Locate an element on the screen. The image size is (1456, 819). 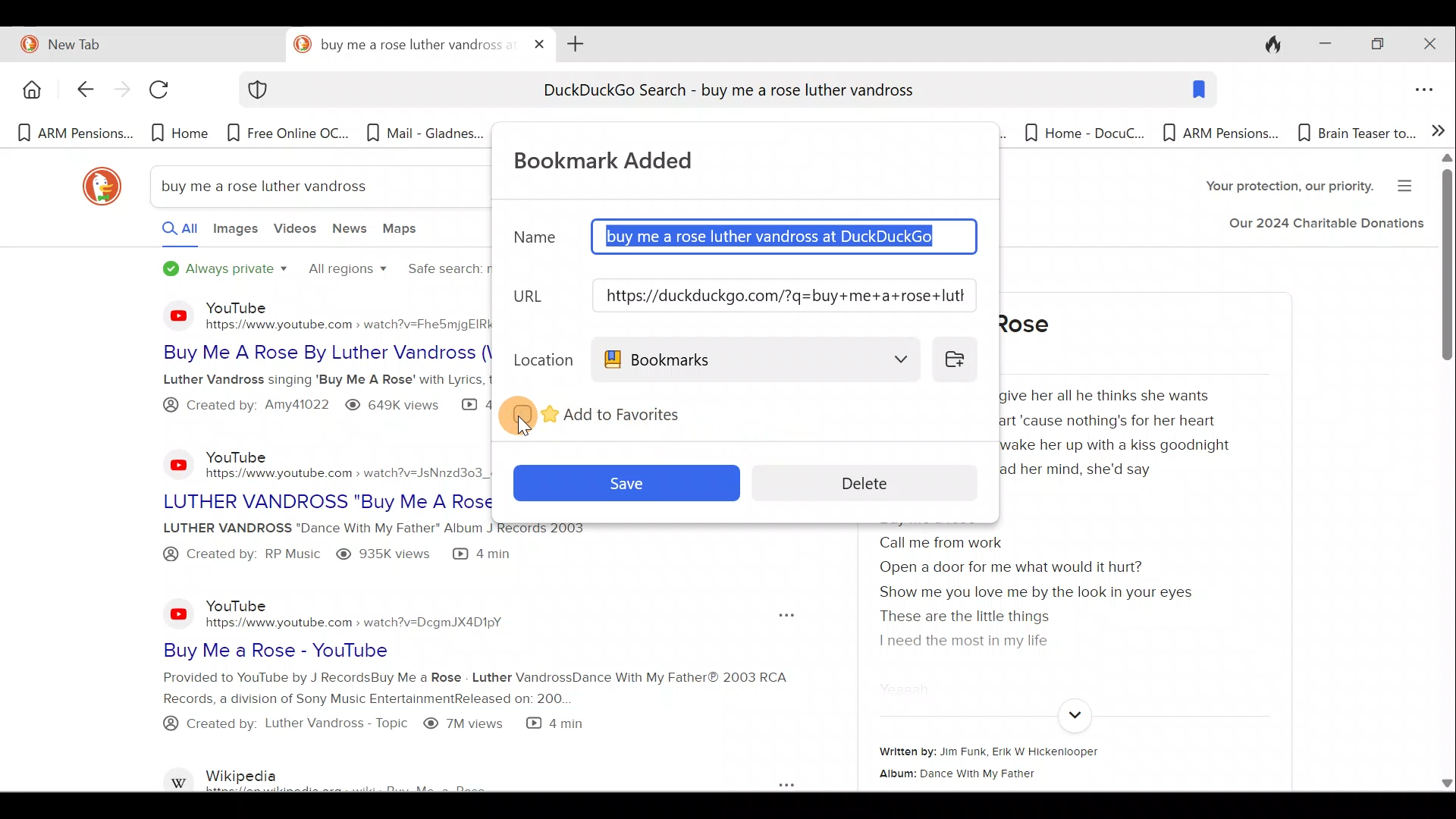
buy me a rose luther vandross is located at coordinates (275, 186).